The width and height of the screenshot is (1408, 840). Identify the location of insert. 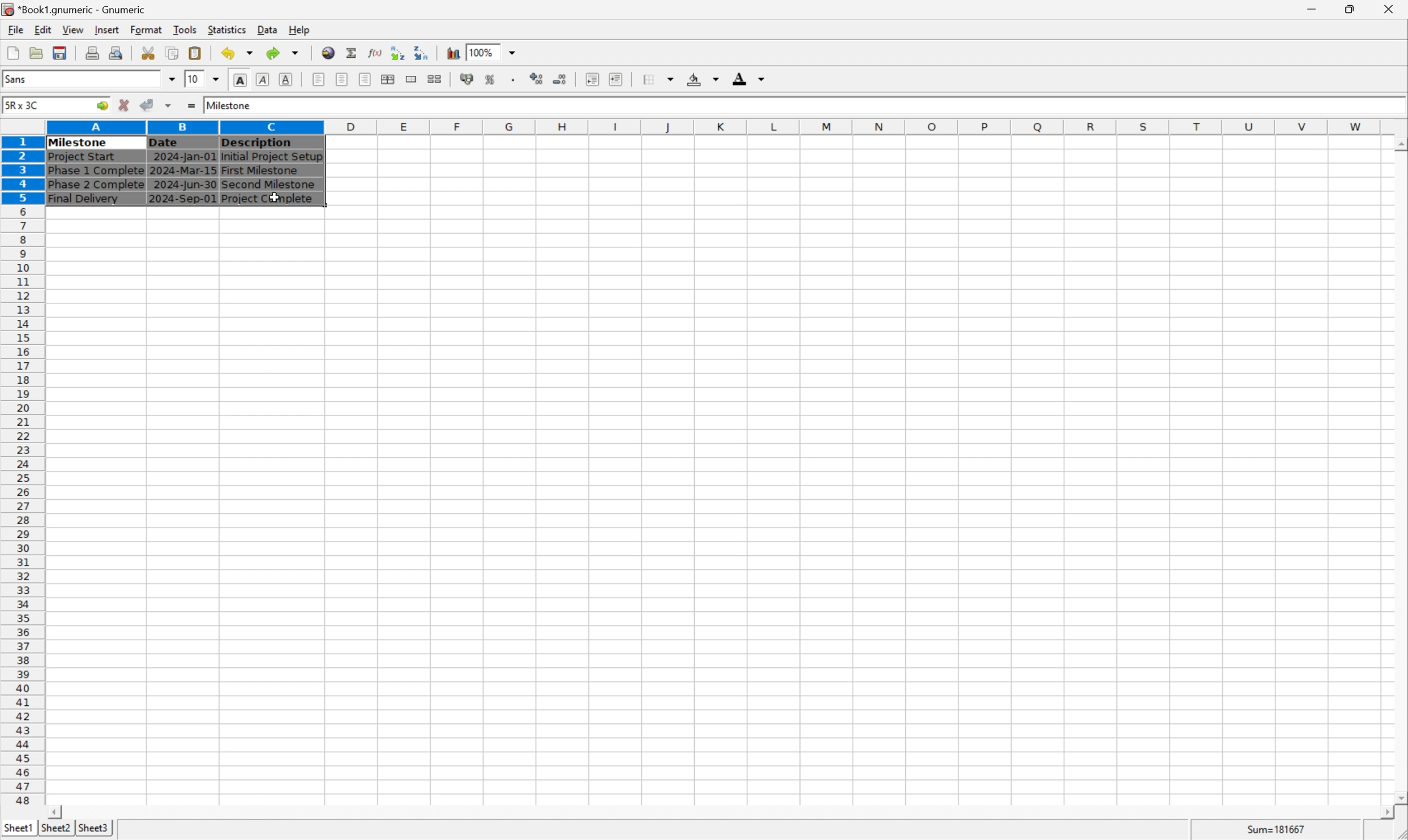
(106, 31).